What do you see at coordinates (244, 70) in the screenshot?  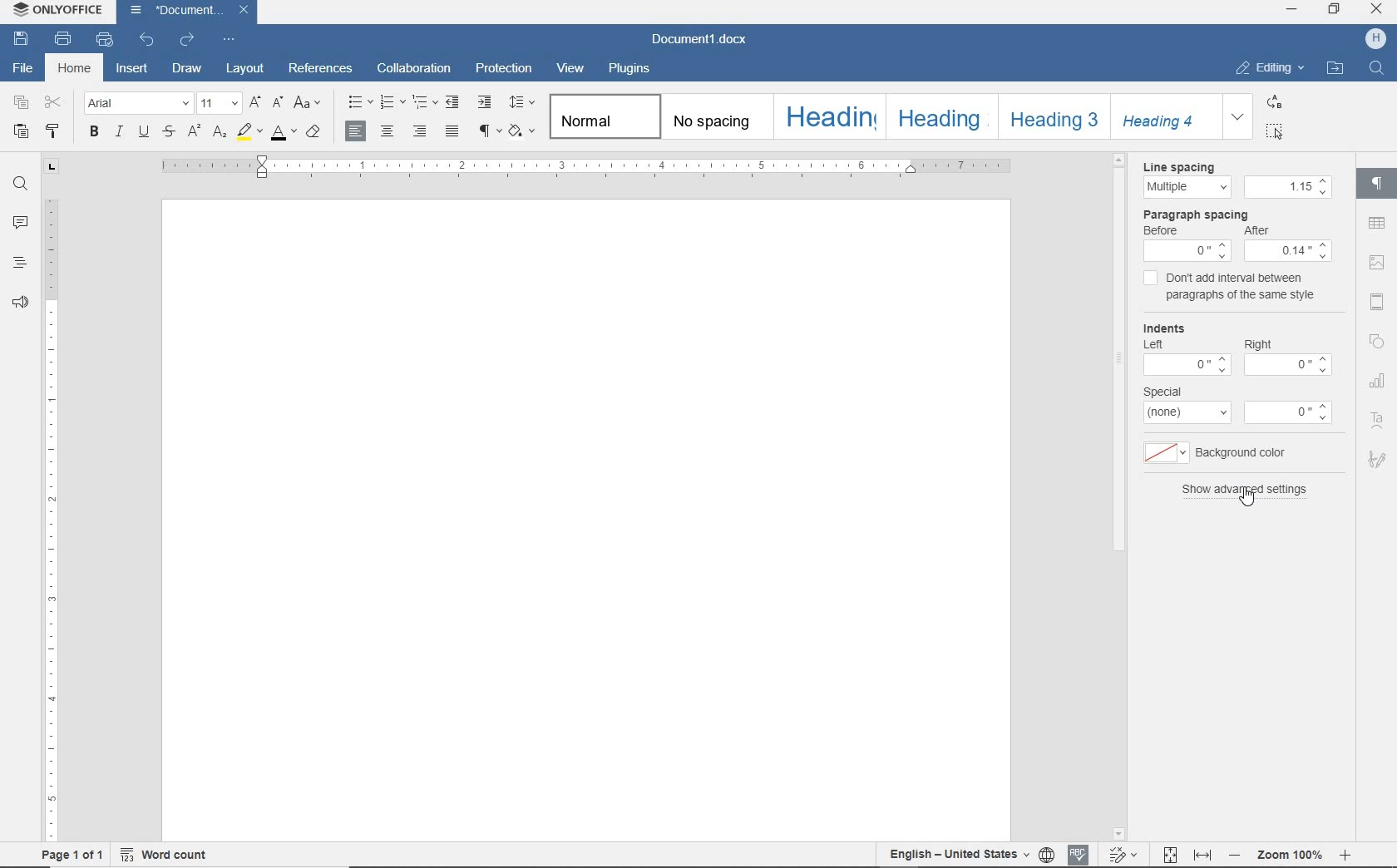 I see `layout` at bounding box center [244, 70].